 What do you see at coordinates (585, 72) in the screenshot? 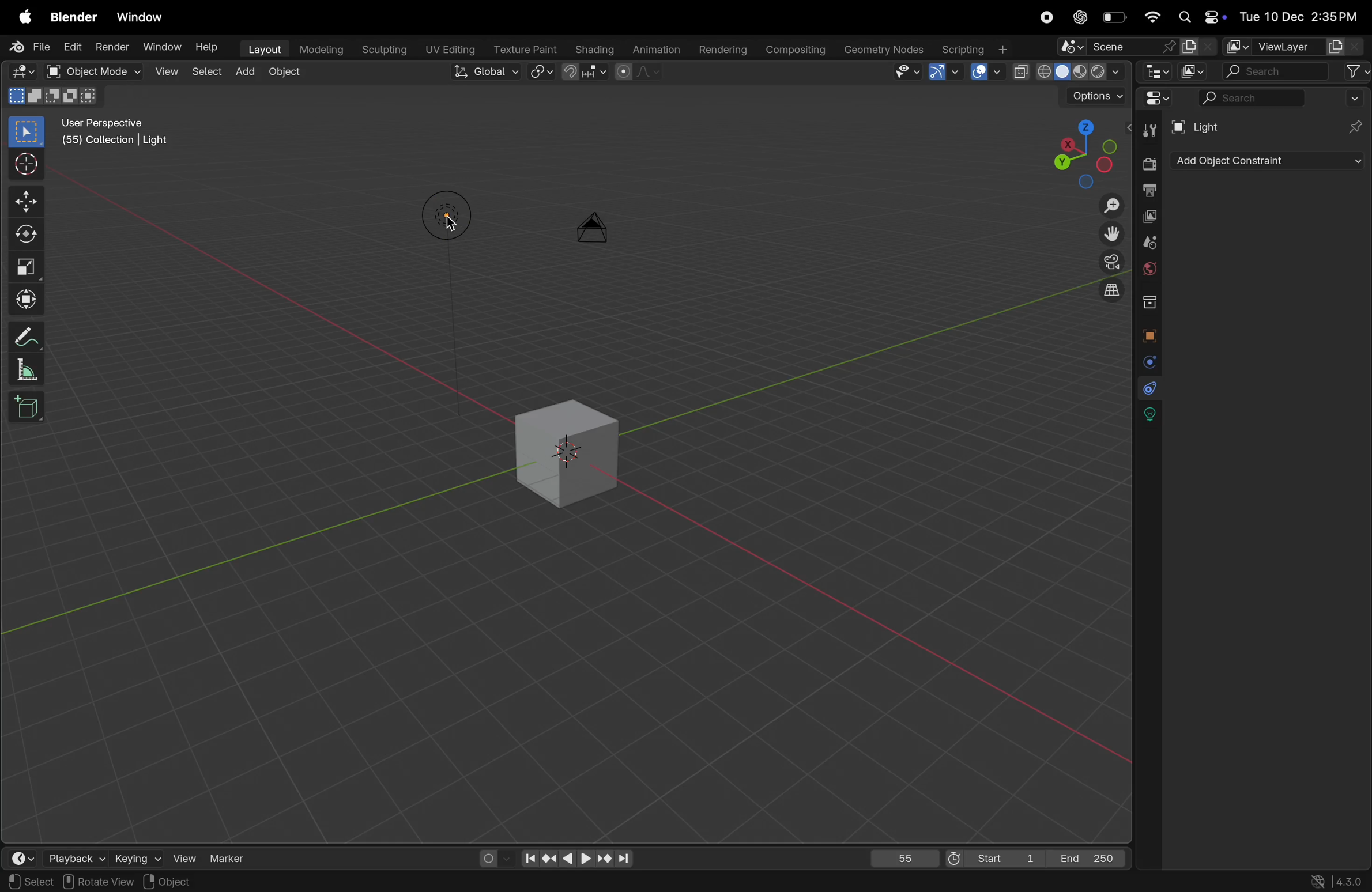
I see `snapping` at bounding box center [585, 72].